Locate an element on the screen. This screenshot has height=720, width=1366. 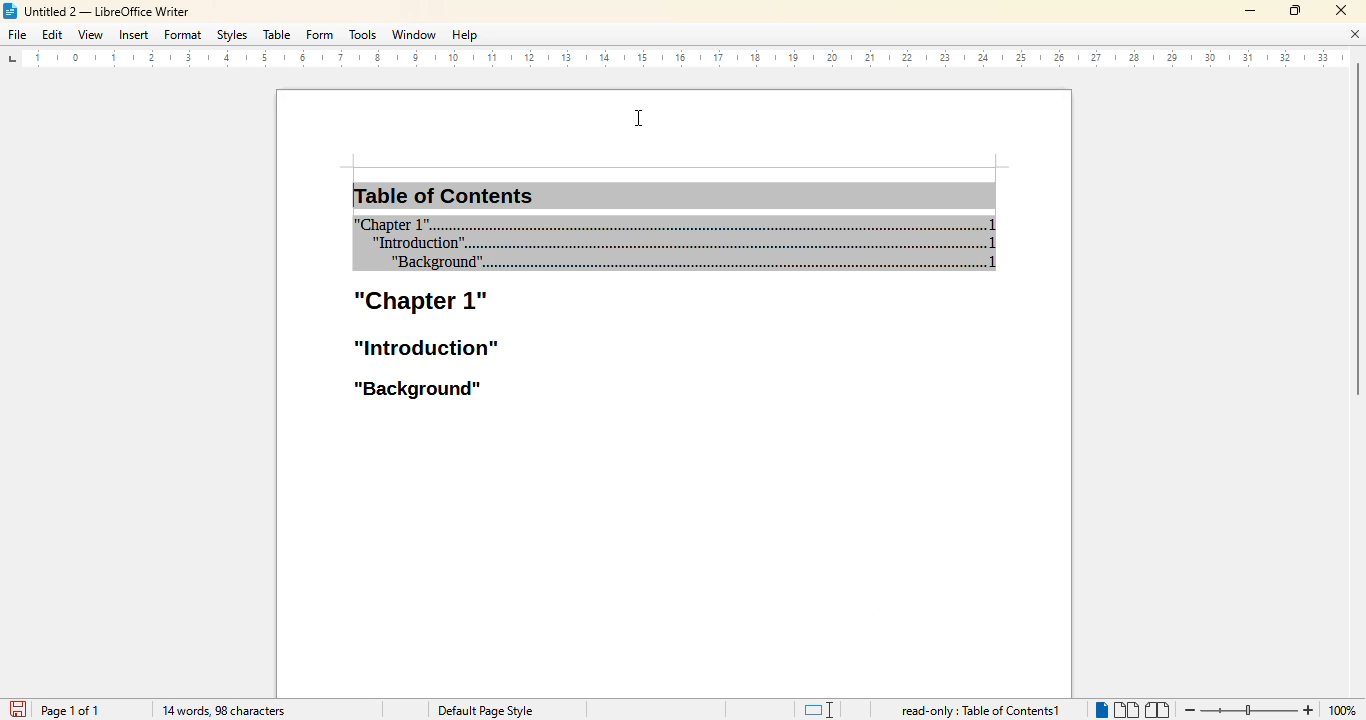
read-only: Table of contents1 is located at coordinates (981, 711).